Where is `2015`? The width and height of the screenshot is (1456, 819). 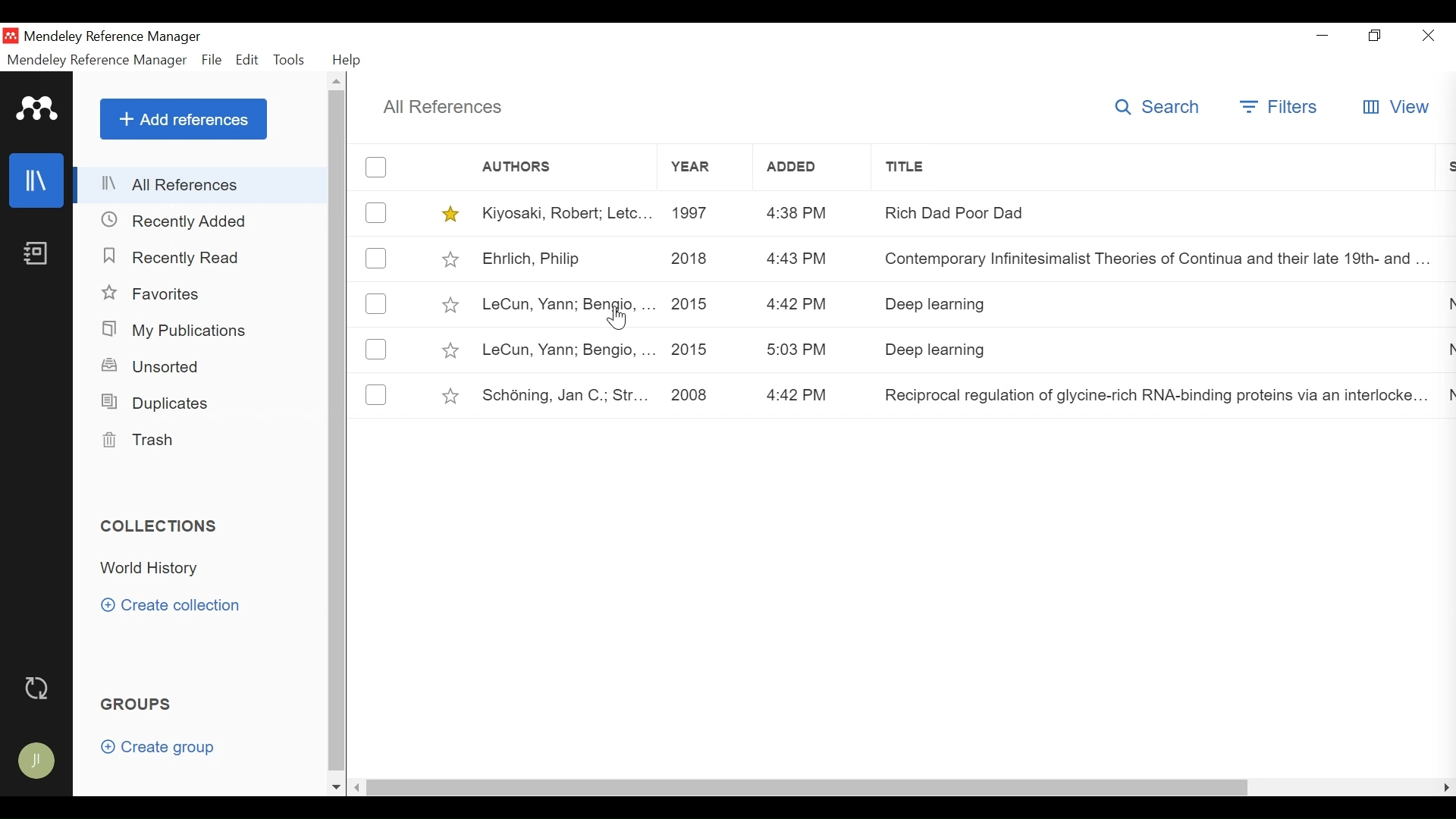 2015 is located at coordinates (690, 303).